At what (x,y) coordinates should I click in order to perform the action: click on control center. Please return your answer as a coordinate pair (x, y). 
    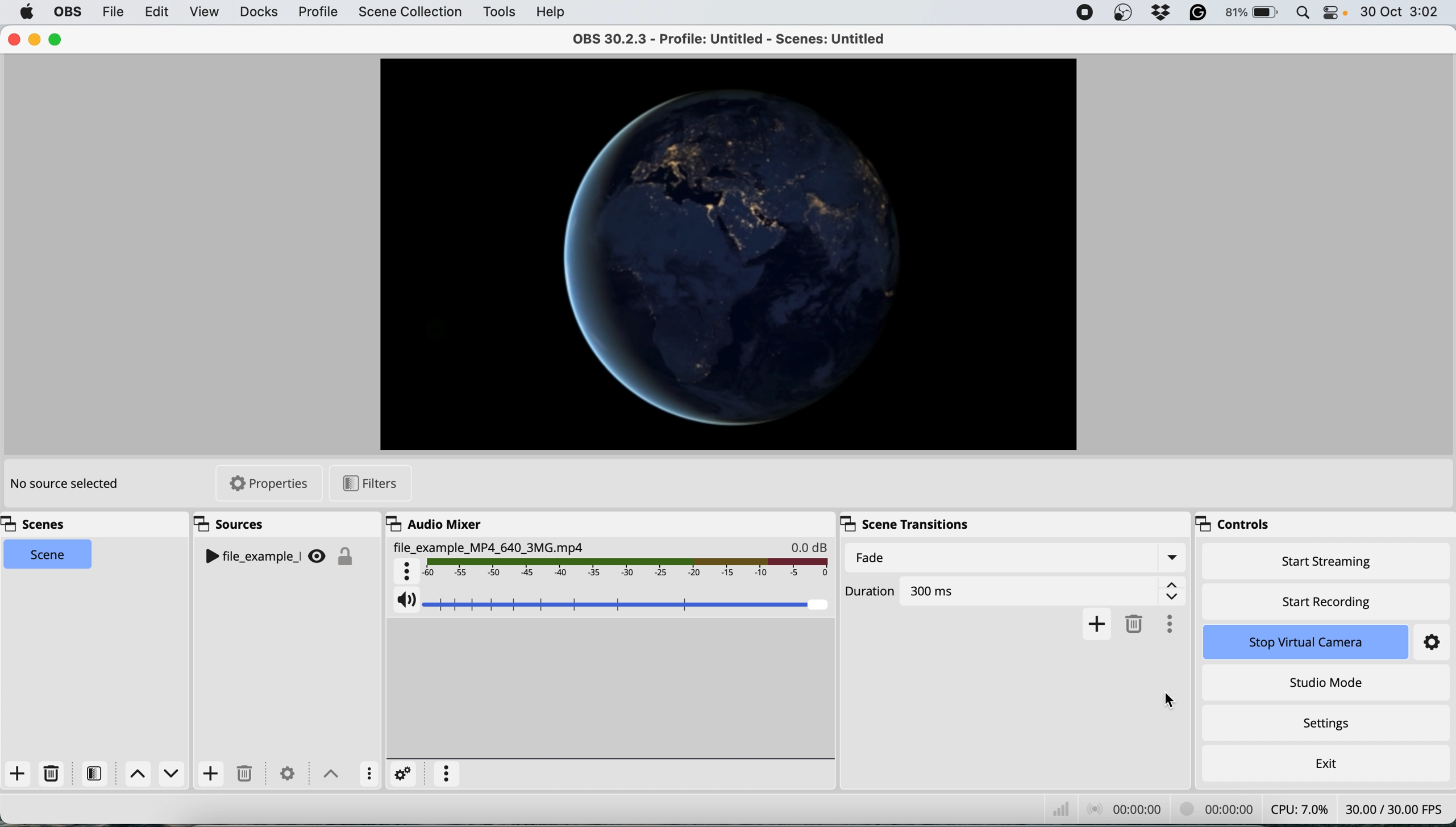
    Looking at the image, I should click on (1333, 13).